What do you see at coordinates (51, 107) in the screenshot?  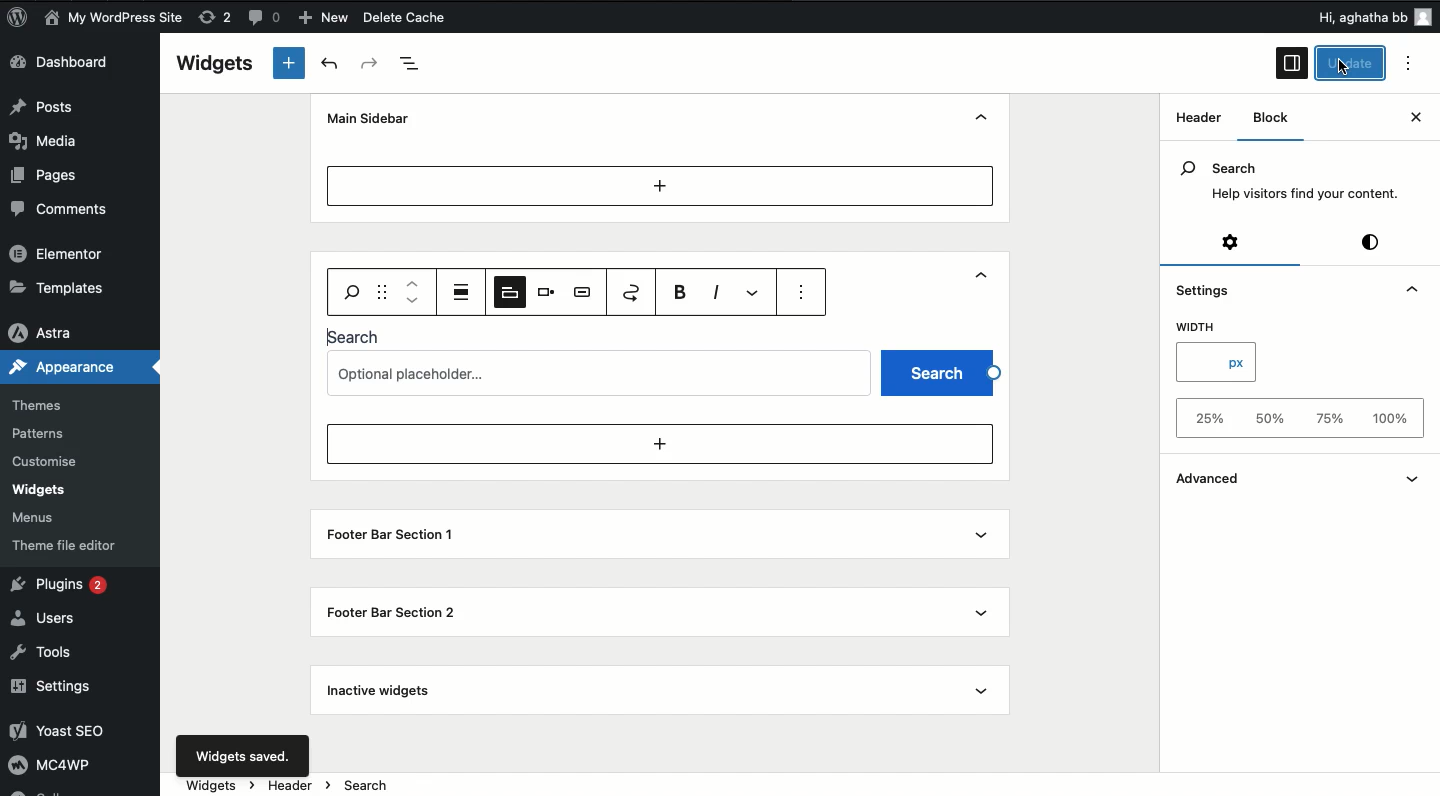 I see `Posts` at bounding box center [51, 107].